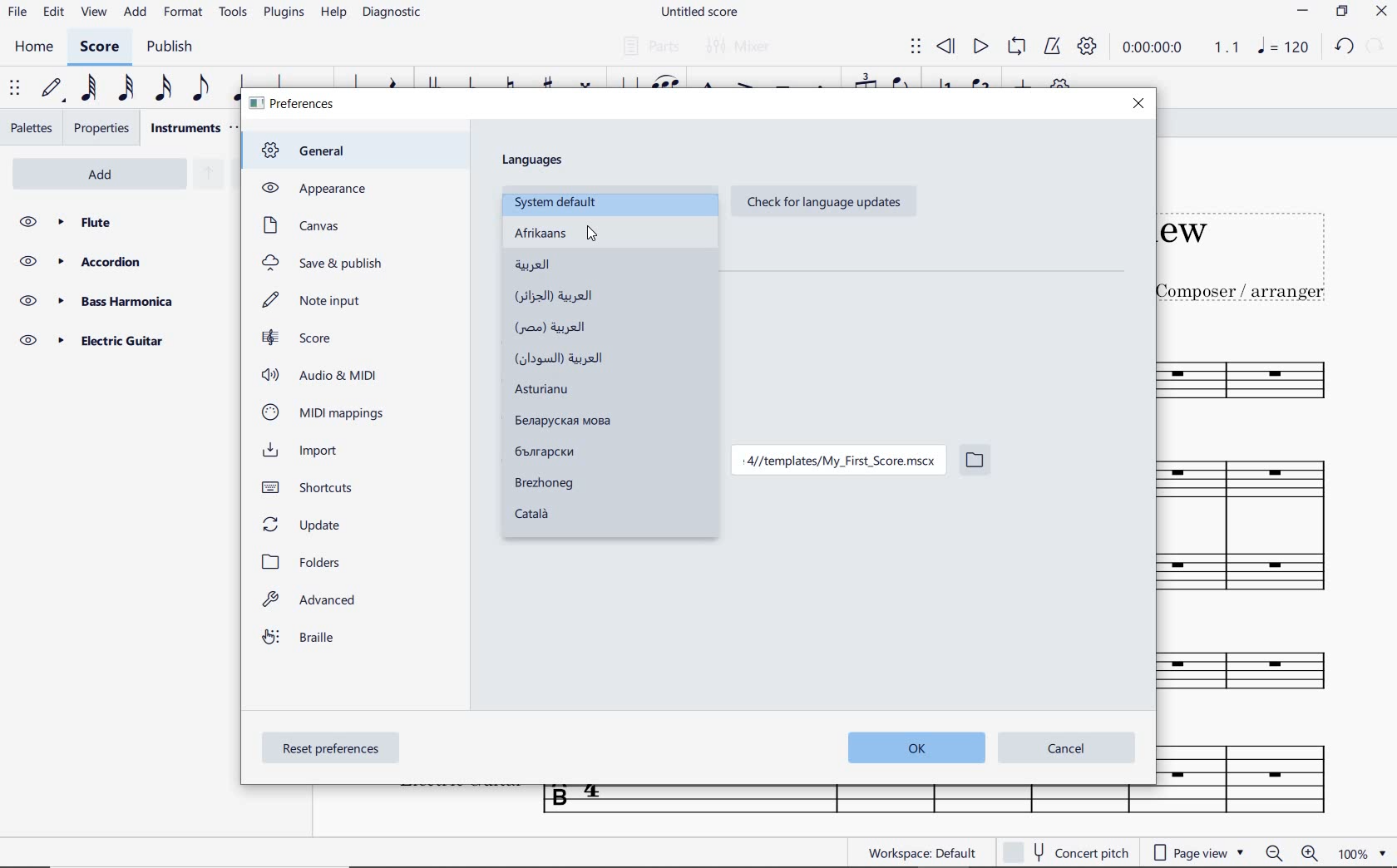 The height and width of the screenshot is (868, 1397). I want to click on play, so click(980, 47).